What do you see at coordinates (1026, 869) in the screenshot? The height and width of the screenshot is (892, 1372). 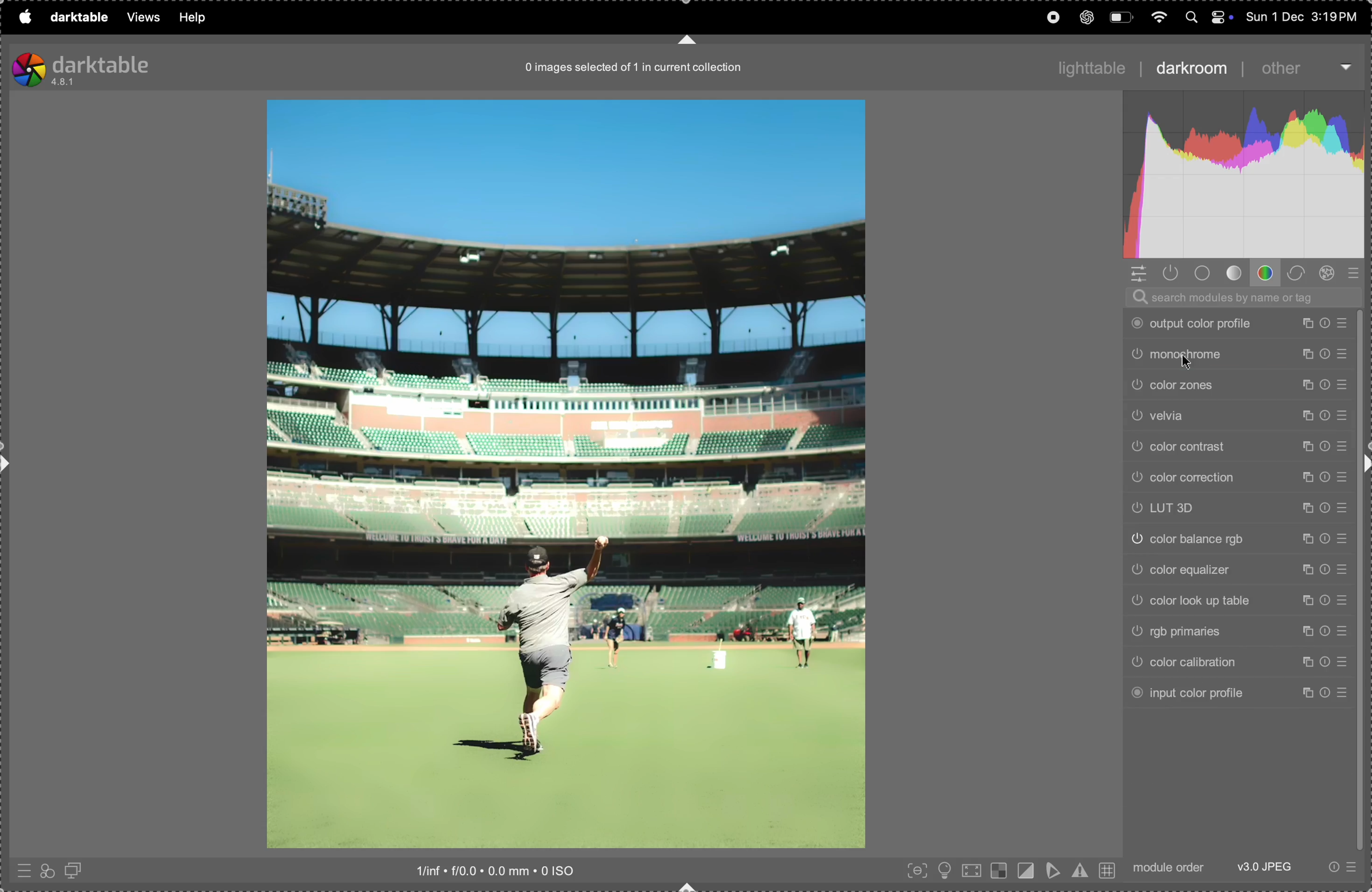 I see `toggle clipping indication` at bounding box center [1026, 869].